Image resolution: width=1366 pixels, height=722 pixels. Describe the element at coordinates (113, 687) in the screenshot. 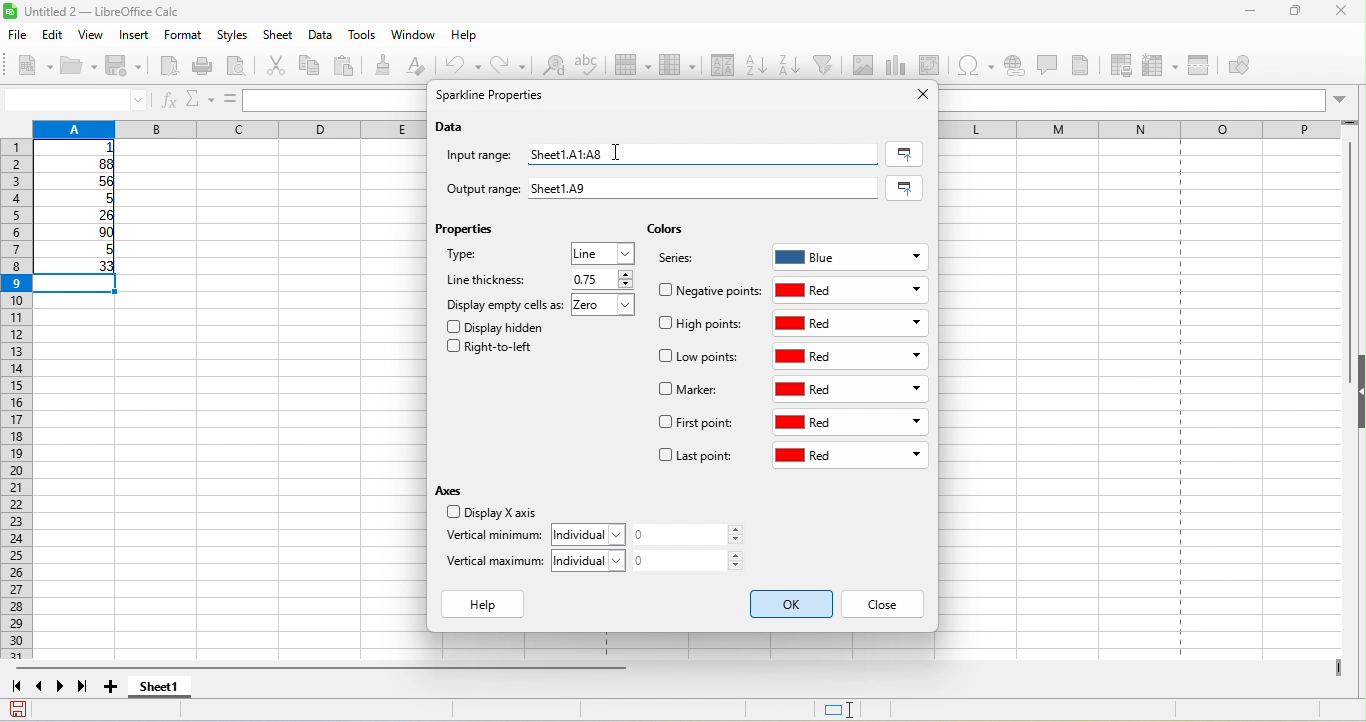

I see `add sheet` at that location.